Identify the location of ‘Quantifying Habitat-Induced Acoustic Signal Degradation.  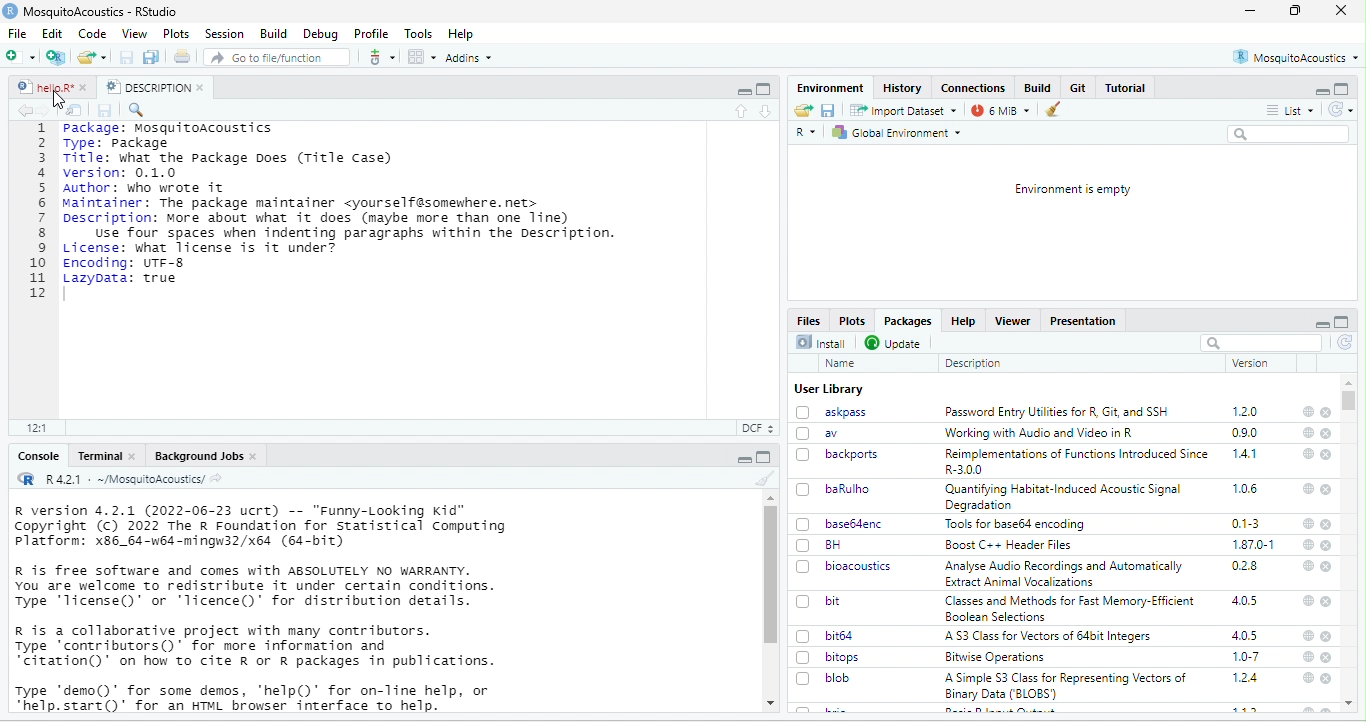
(1066, 497).